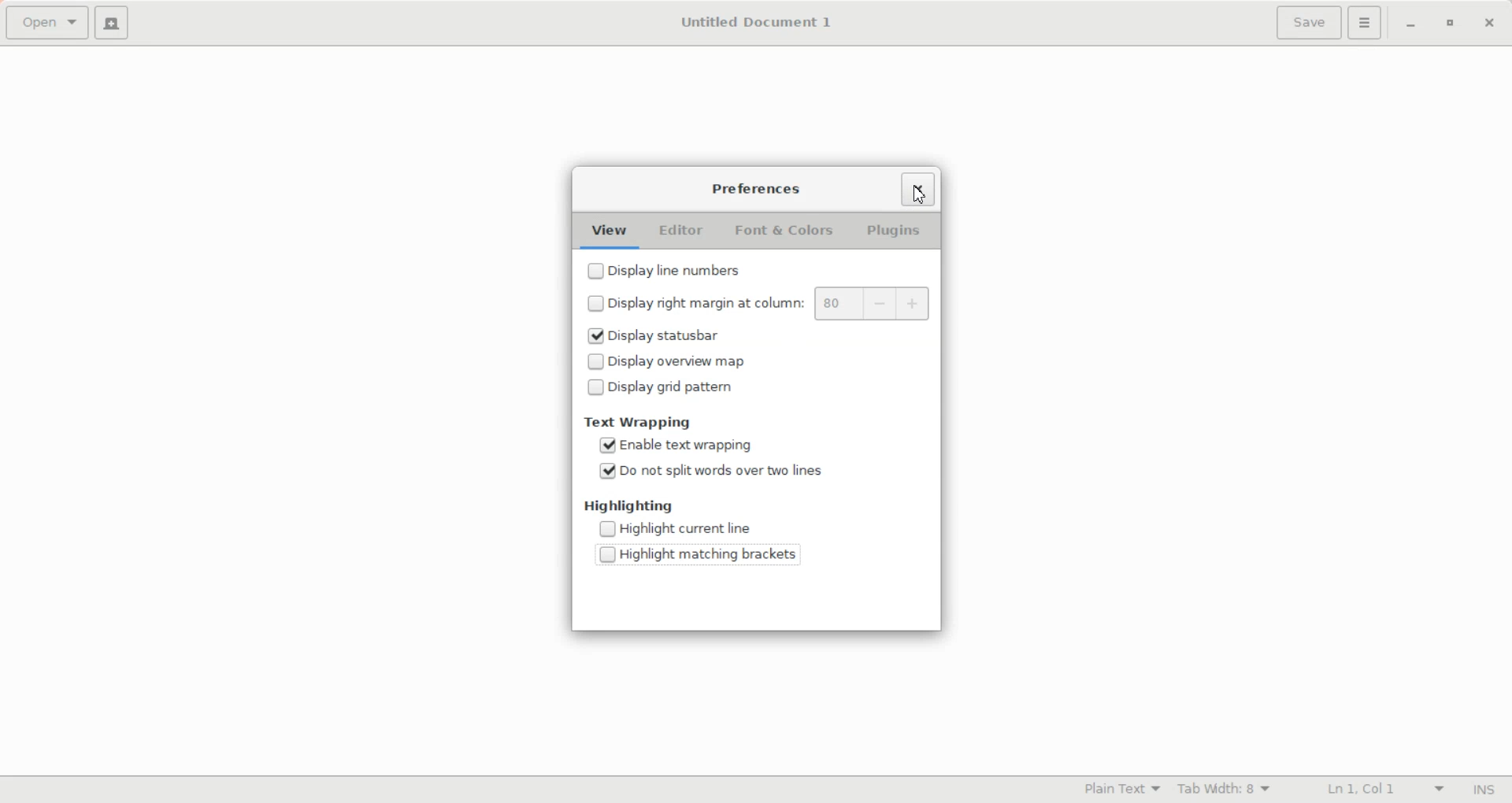 The width and height of the screenshot is (1512, 803). I want to click on Tab width, so click(1225, 789).